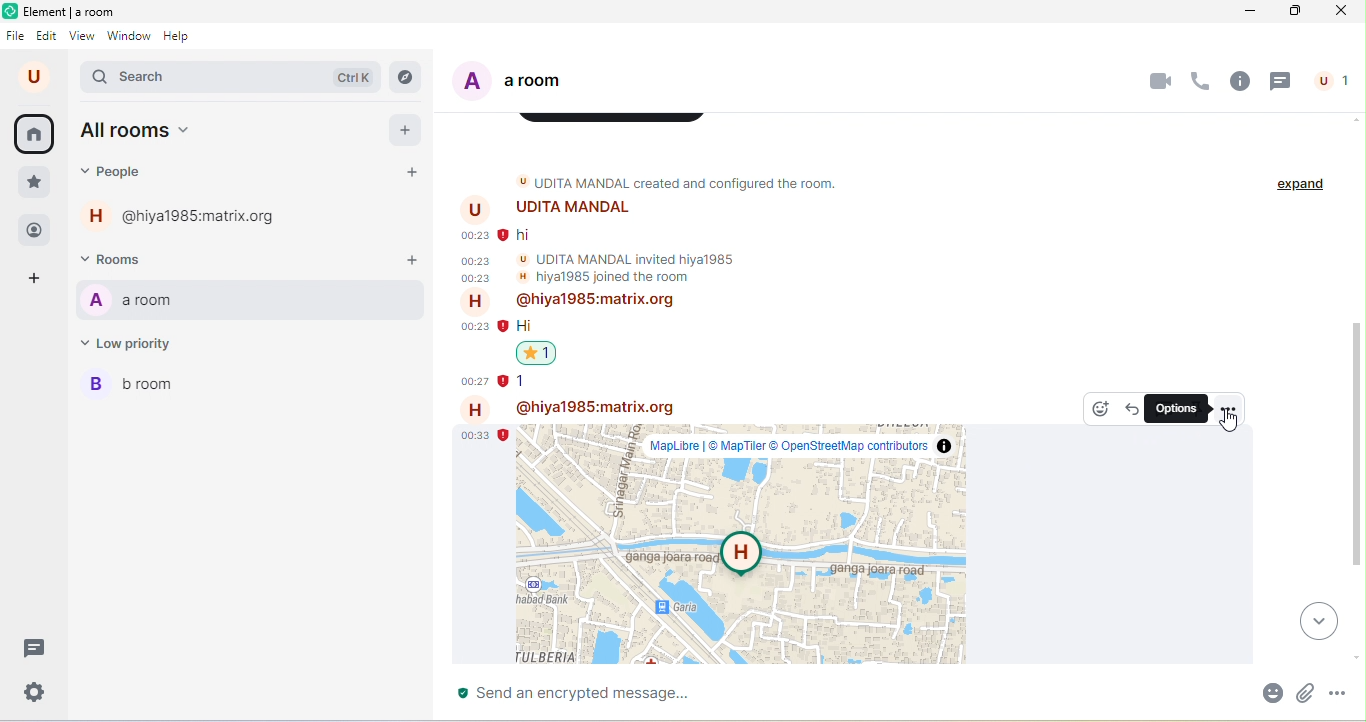  I want to click on rooms, so click(124, 259).